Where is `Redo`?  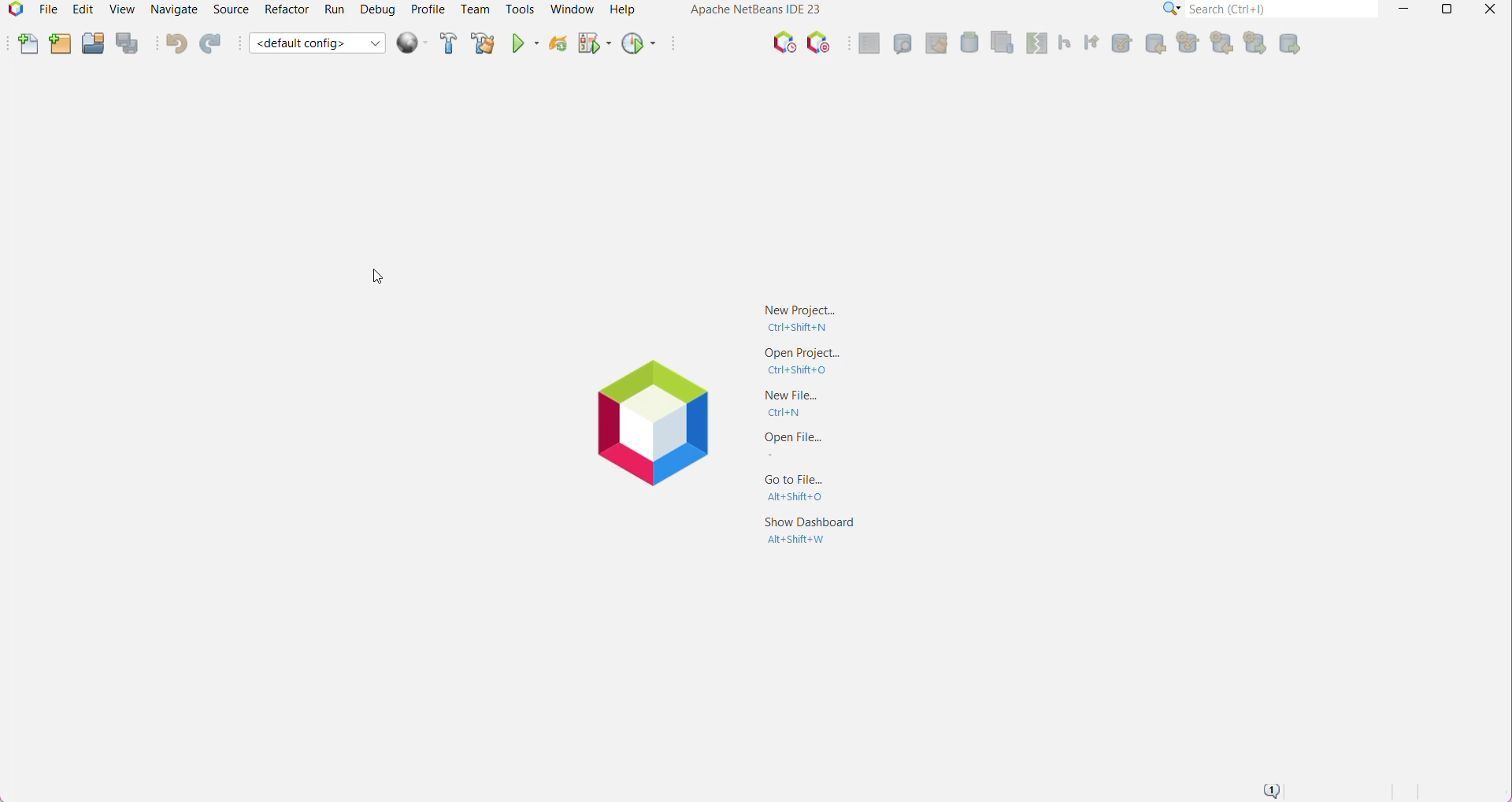 Redo is located at coordinates (213, 43).